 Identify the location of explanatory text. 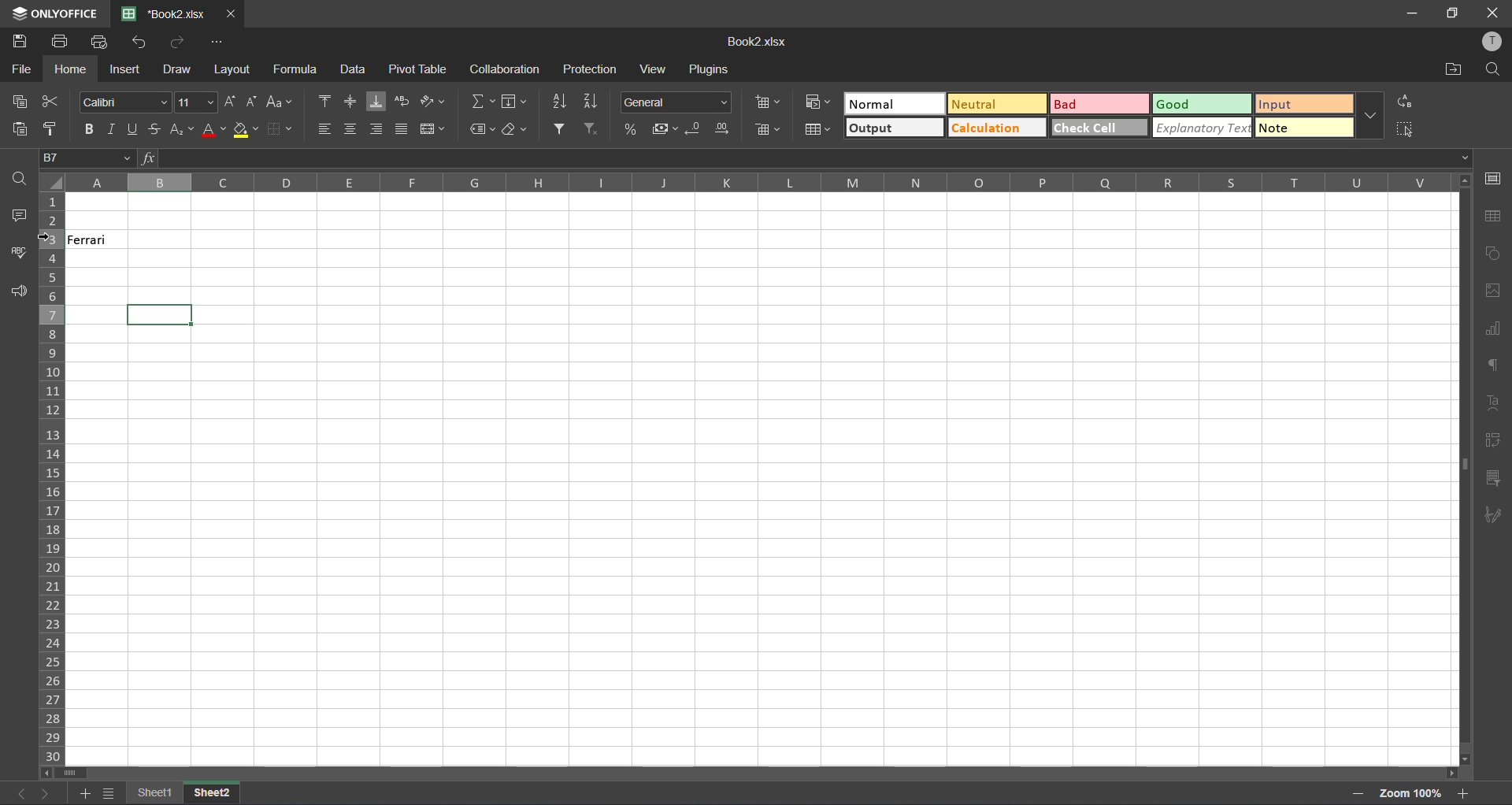
(1203, 126).